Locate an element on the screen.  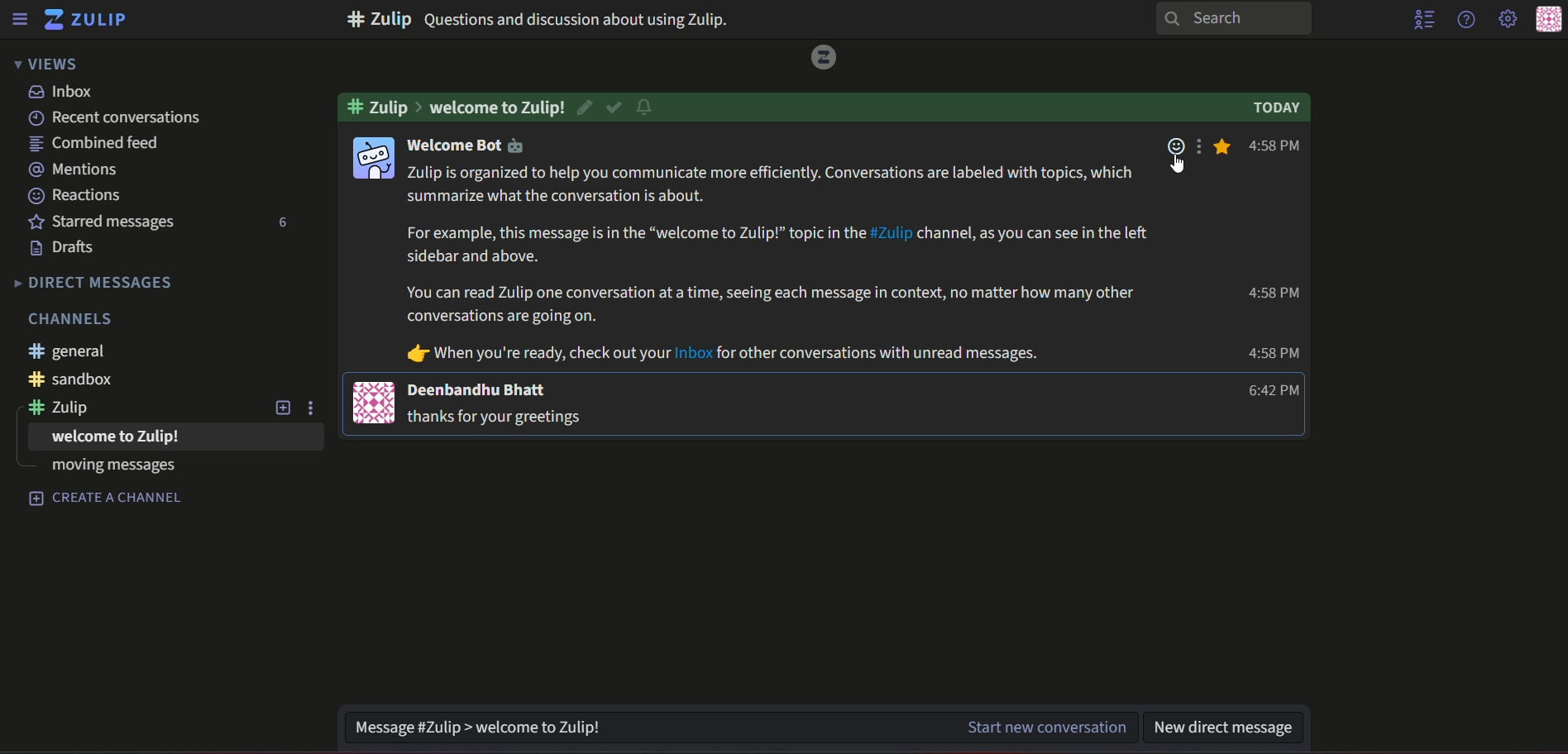
When you're ready, check out your inbox for other conversations with unread messages. is located at coordinates (715, 353).